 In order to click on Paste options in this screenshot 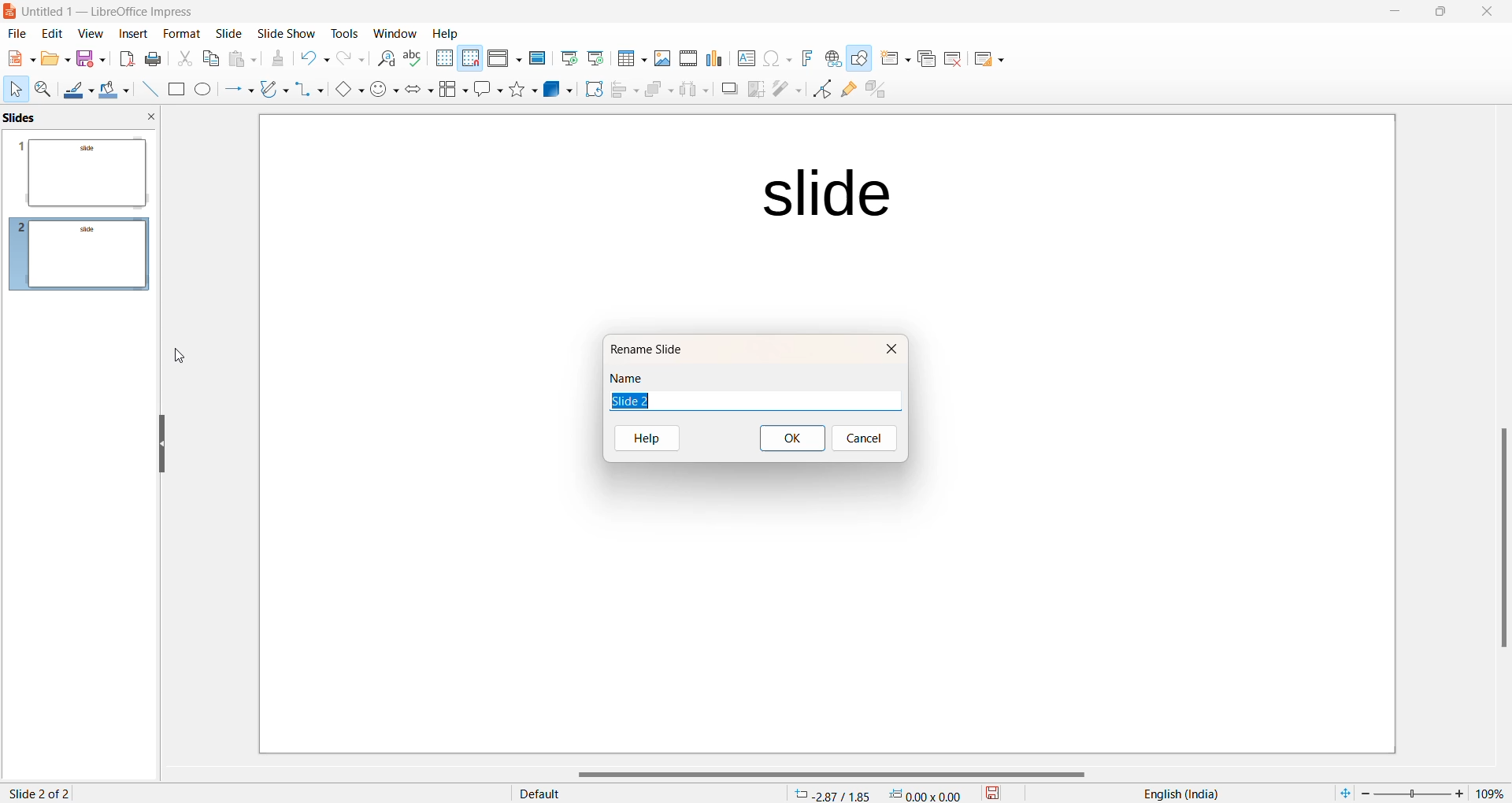, I will do `click(244, 58)`.